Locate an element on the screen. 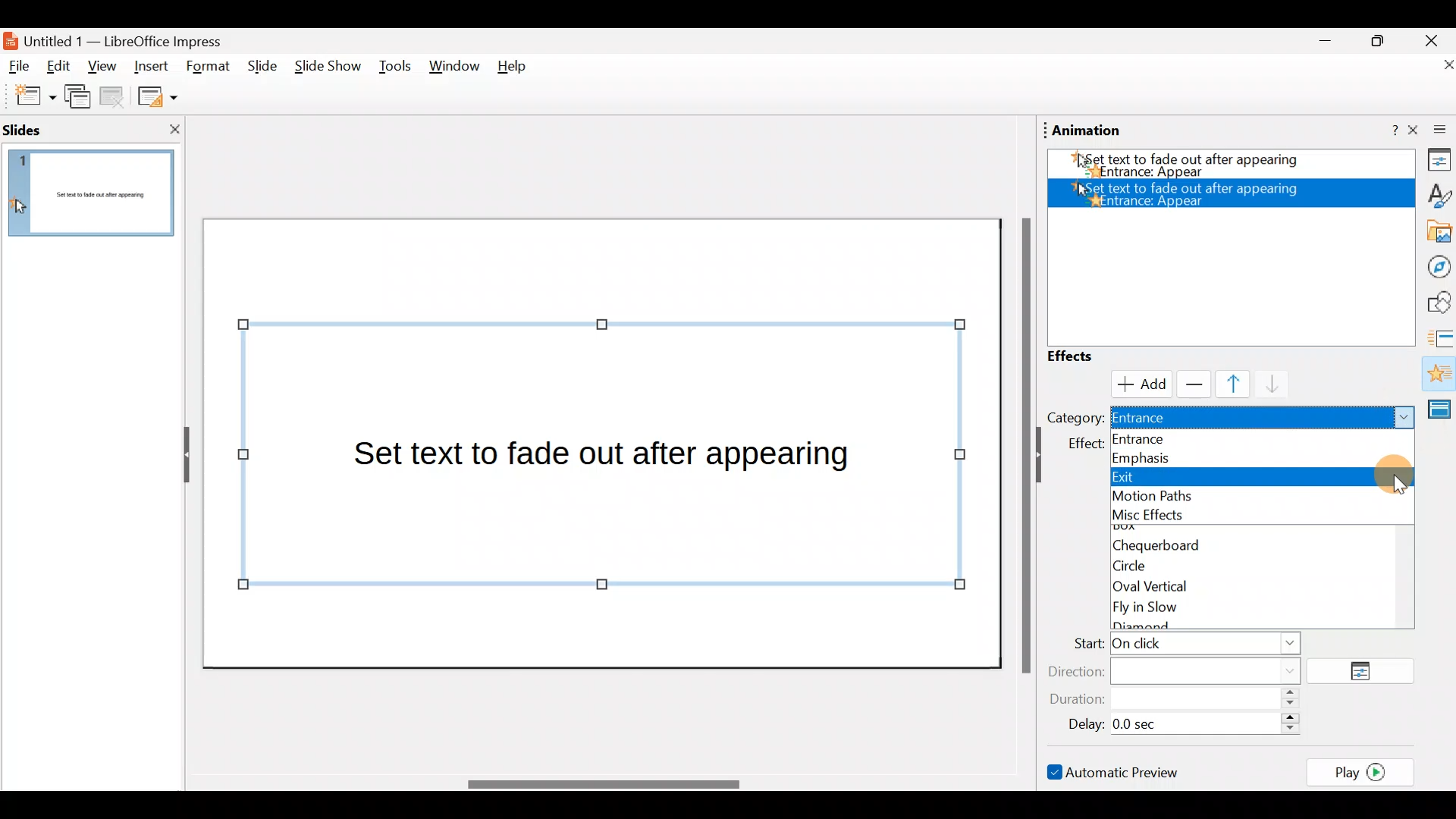  Insert is located at coordinates (151, 64).